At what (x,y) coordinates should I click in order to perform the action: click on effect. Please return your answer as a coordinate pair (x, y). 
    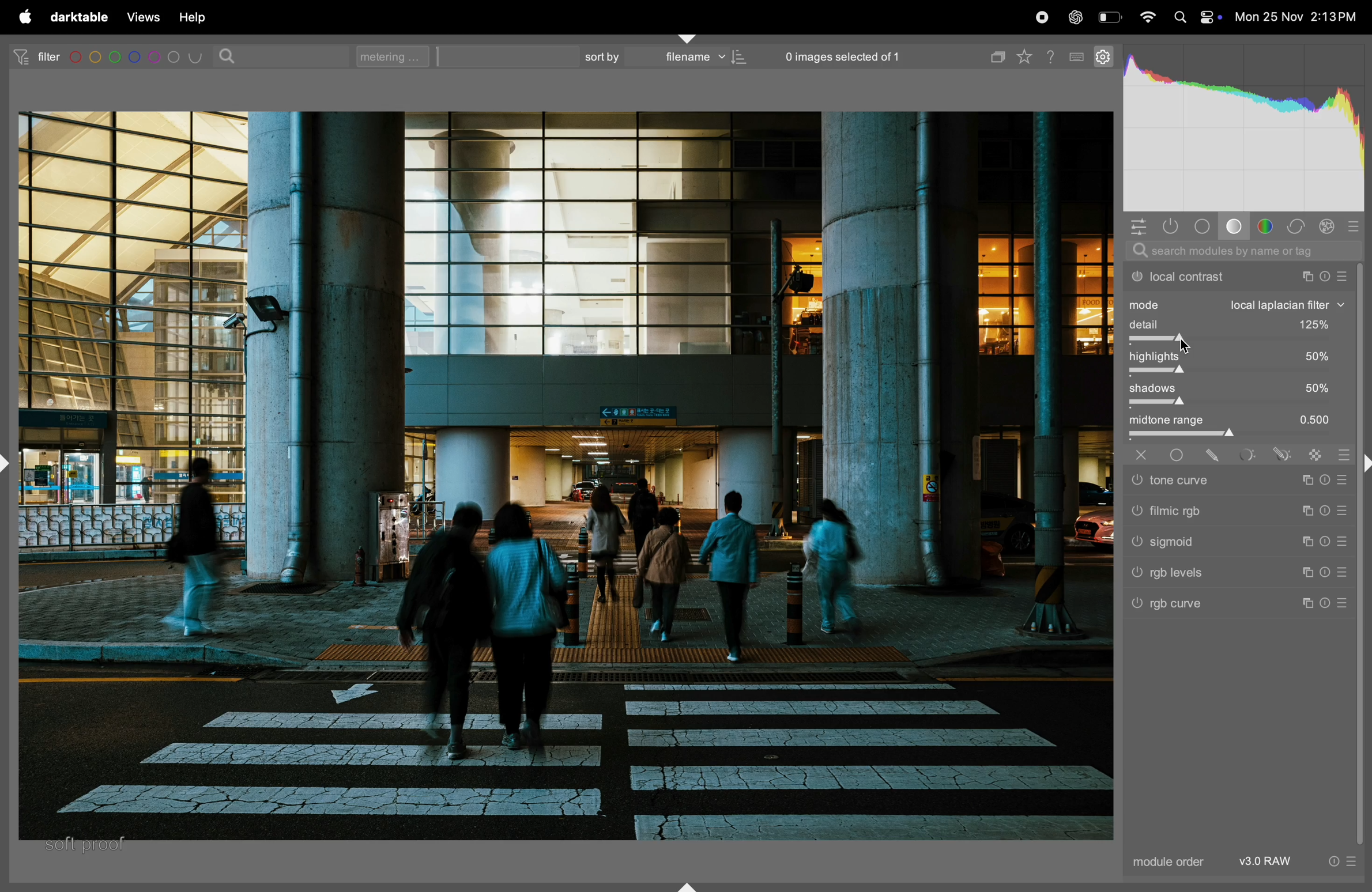
    Looking at the image, I should click on (1327, 225).